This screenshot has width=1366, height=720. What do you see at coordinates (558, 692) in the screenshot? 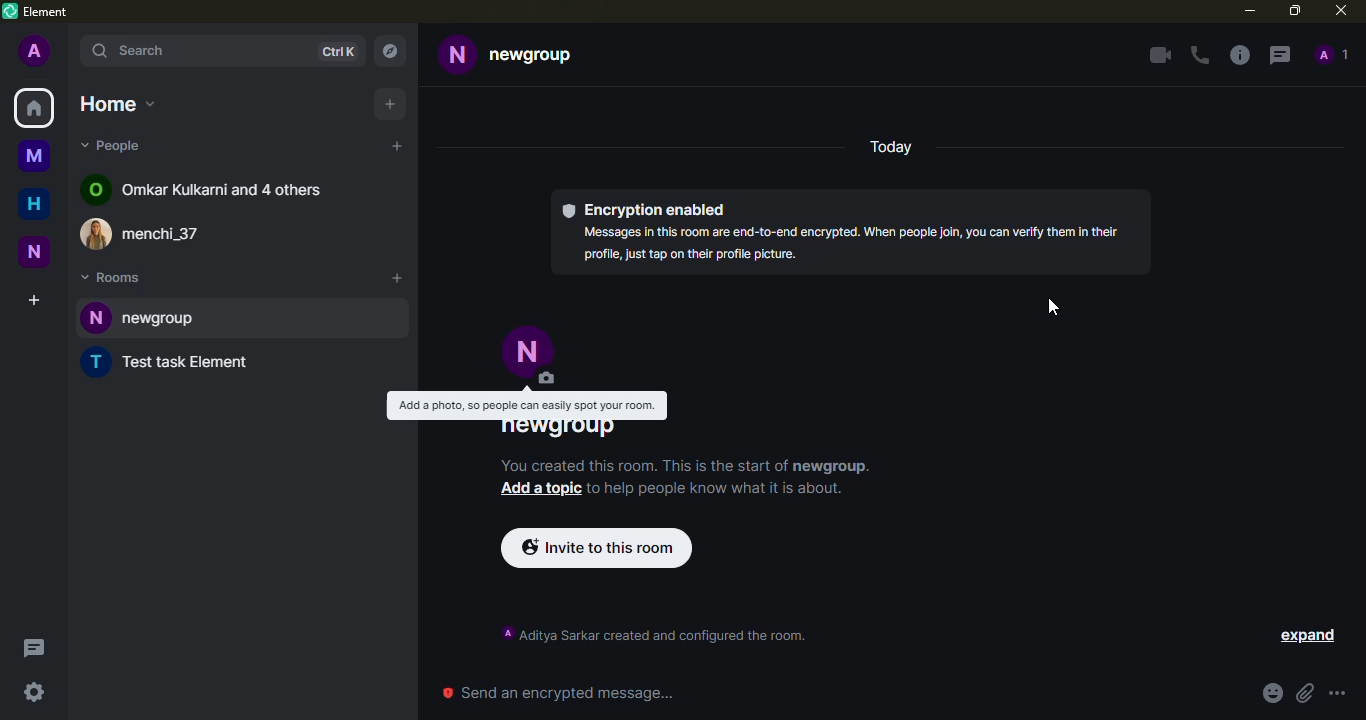
I see `Send an encrypted message...` at bounding box center [558, 692].